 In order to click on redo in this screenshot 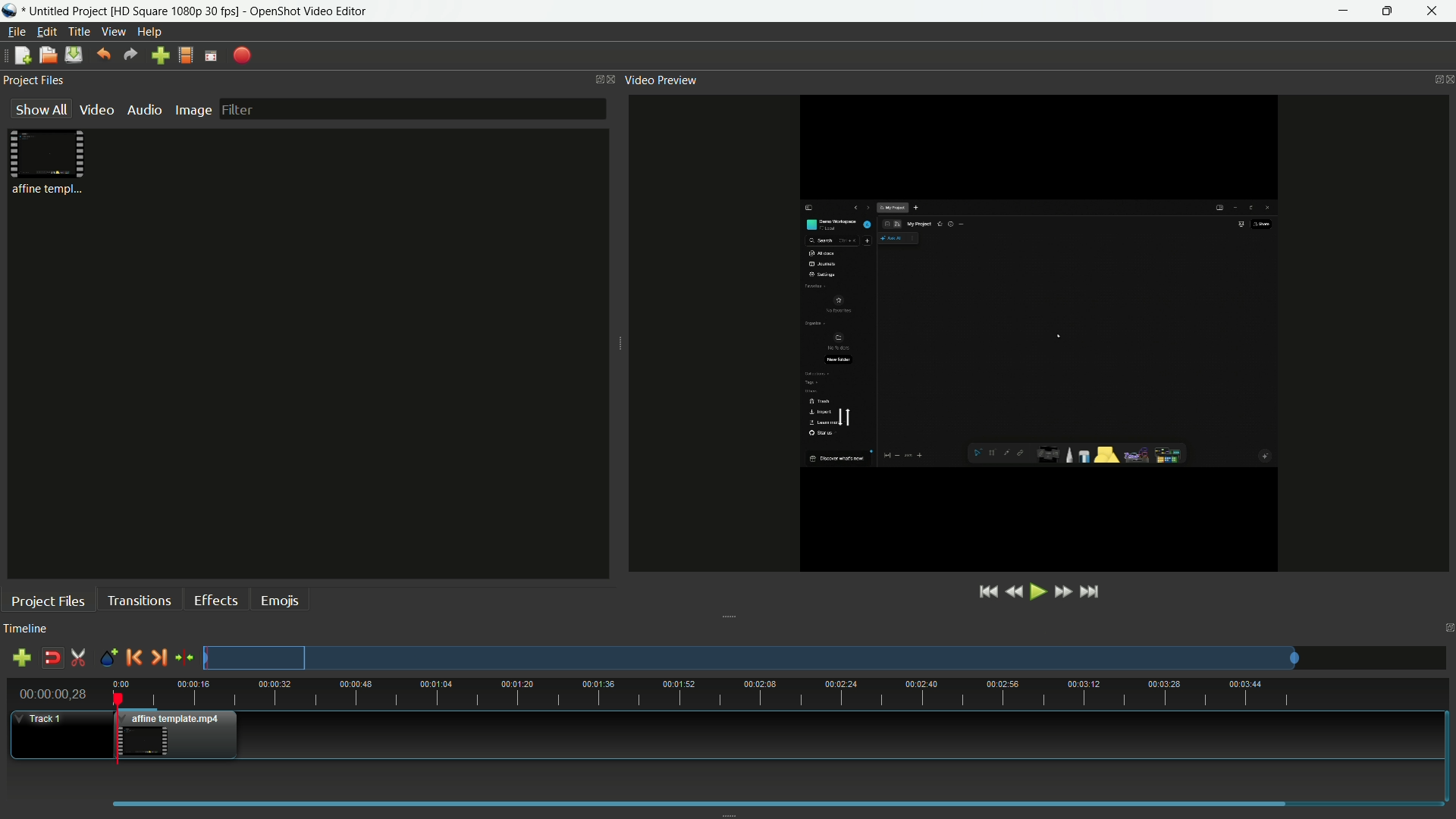, I will do `click(131, 55)`.